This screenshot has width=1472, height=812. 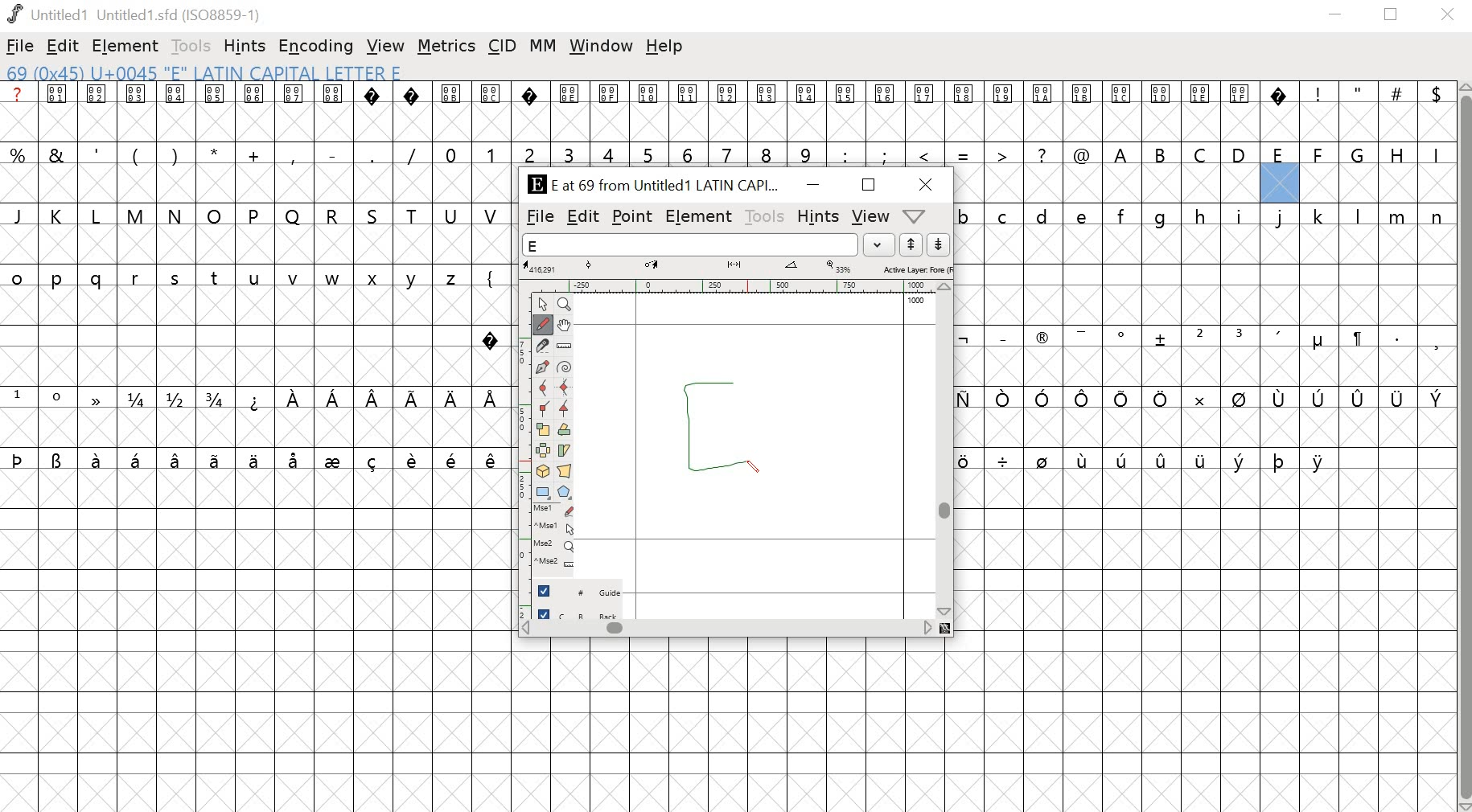 What do you see at coordinates (122, 45) in the screenshot?
I see `element` at bounding box center [122, 45].